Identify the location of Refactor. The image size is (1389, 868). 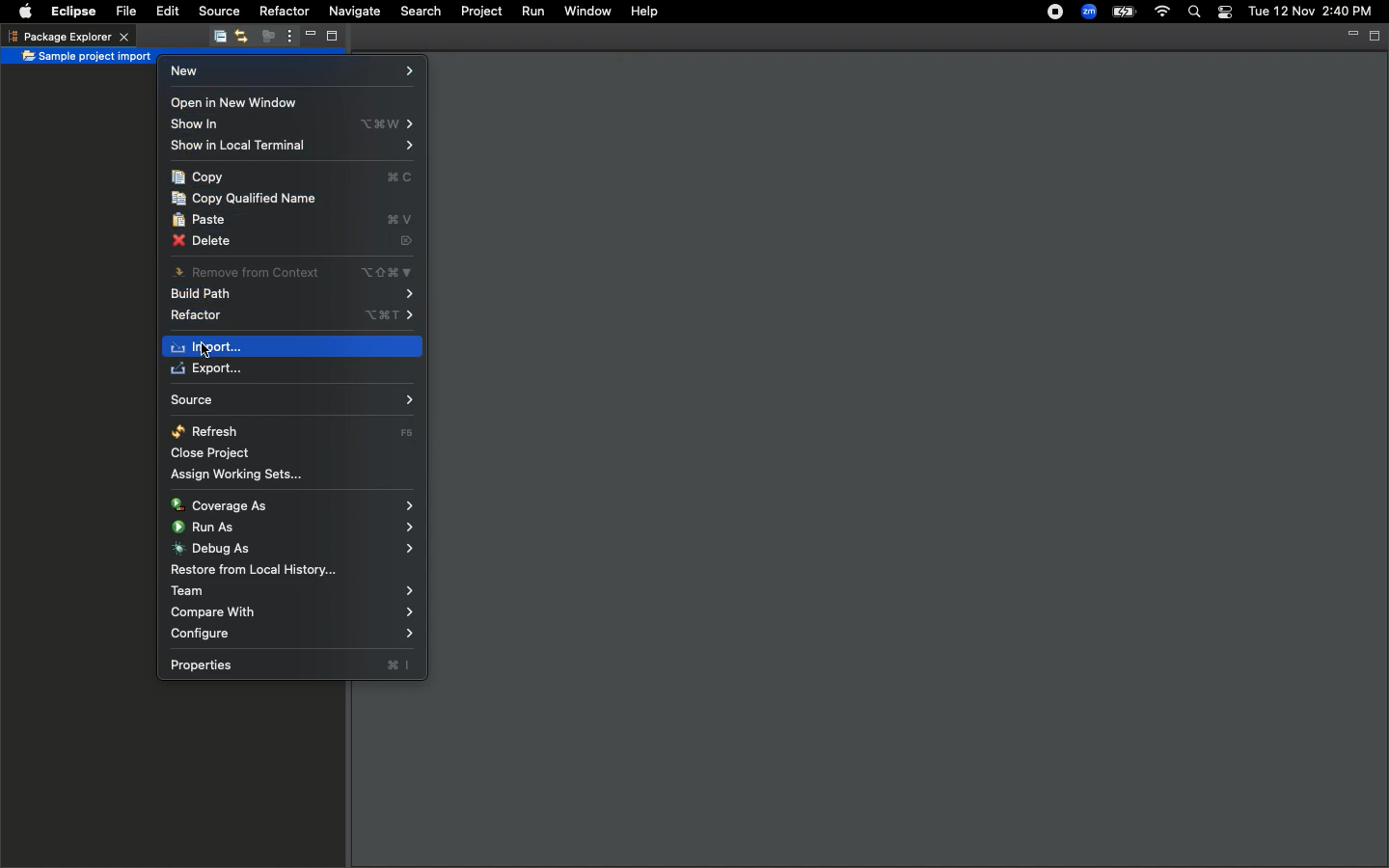
(290, 313).